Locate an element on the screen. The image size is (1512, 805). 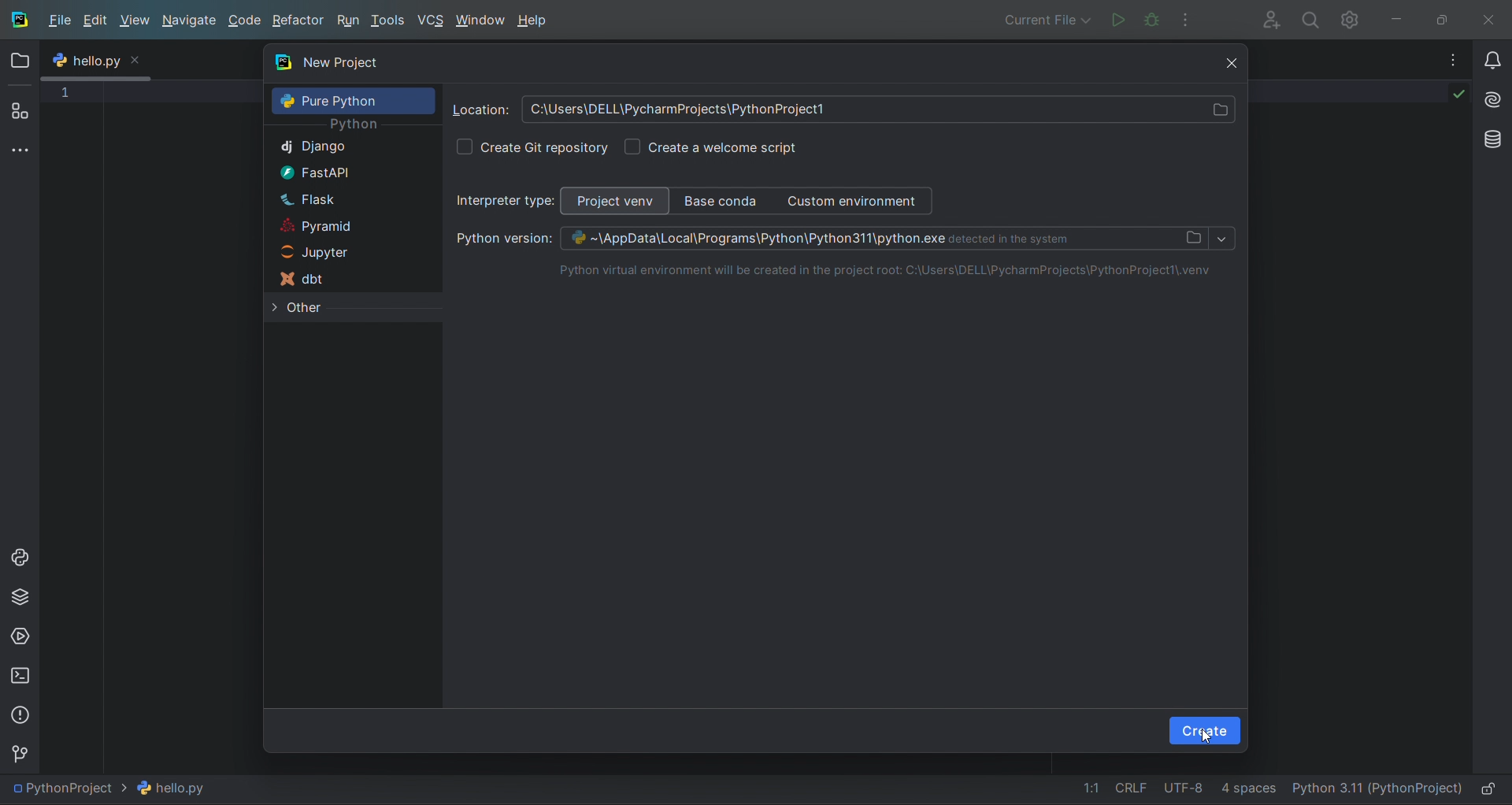
close is located at coordinates (1223, 61).